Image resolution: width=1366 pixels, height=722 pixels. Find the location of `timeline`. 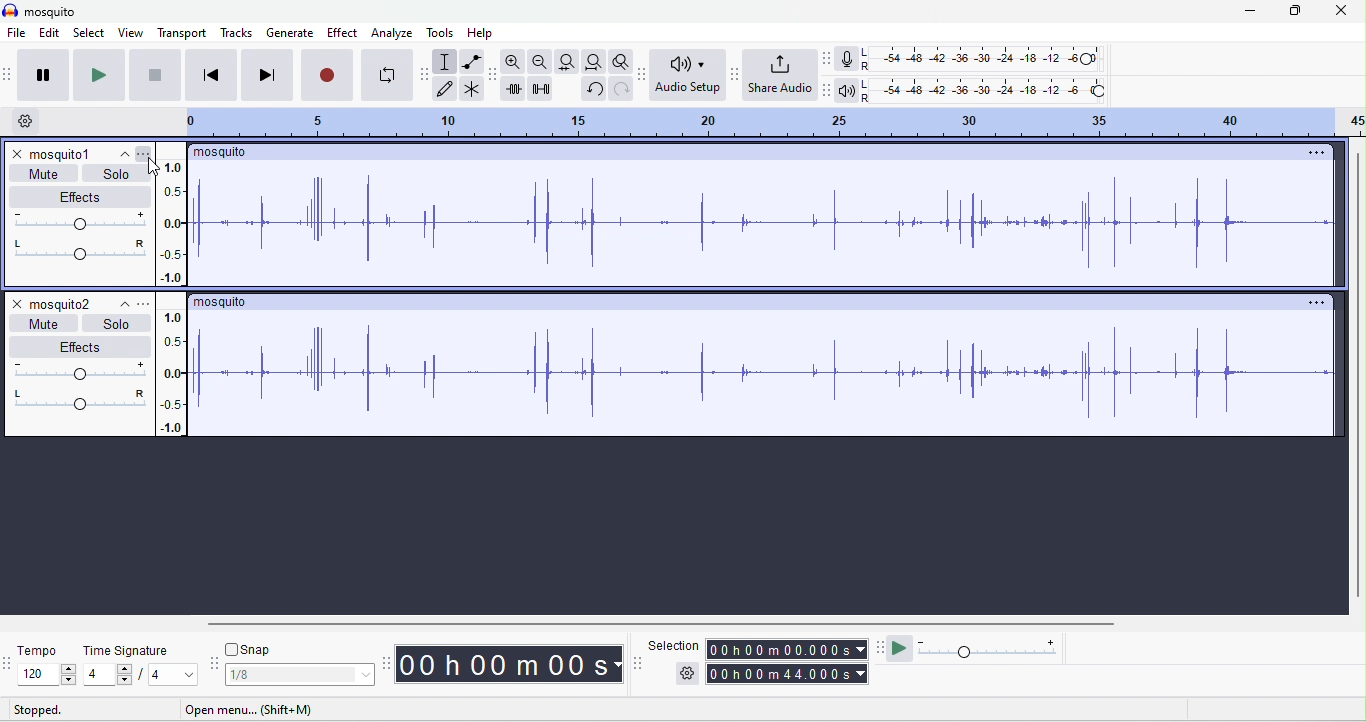

timeline is located at coordinates (773, 123).